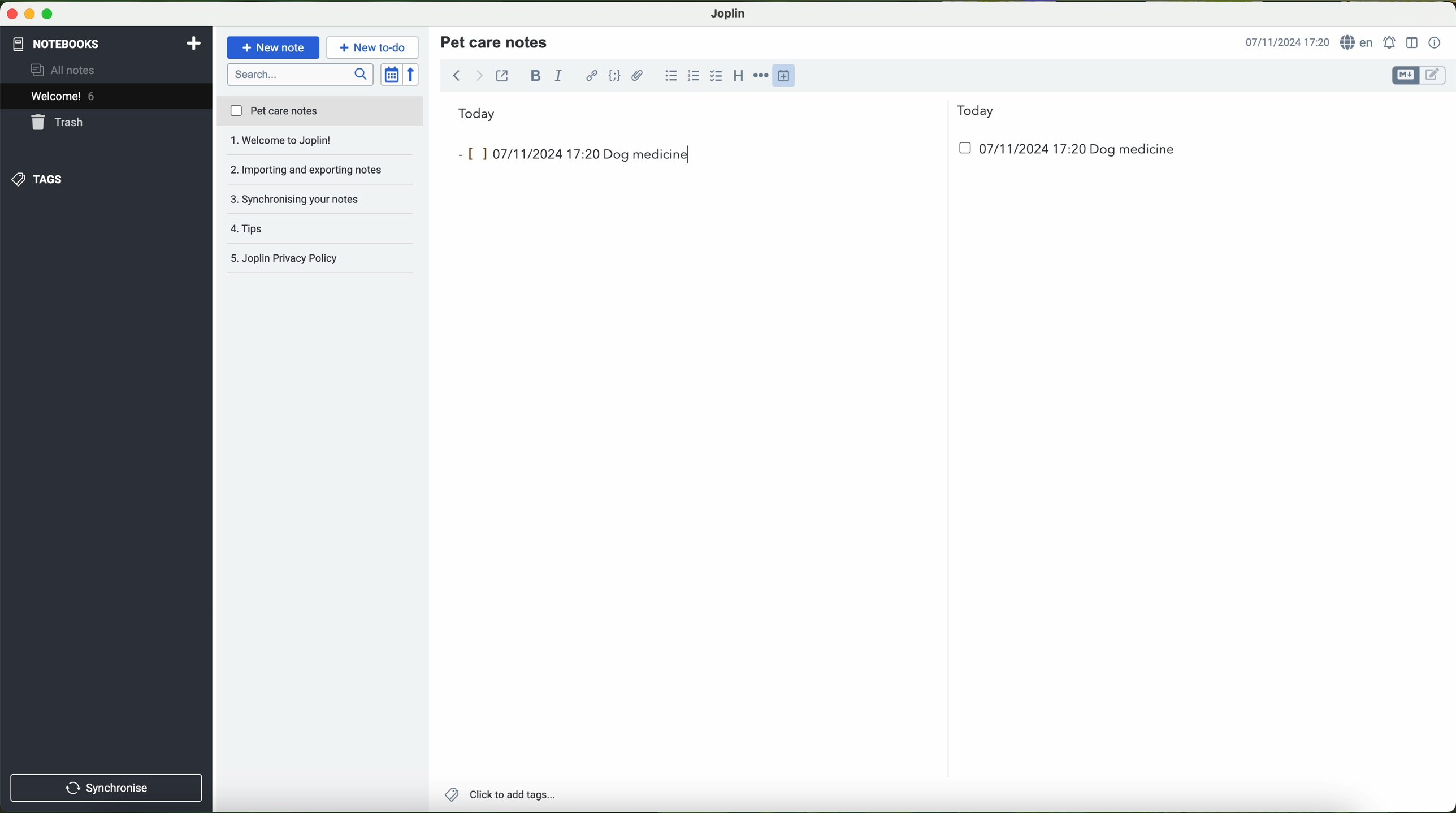 The image size is (1456, 813). What do you see at coordinates (320, 144) in the screenshot?
I see `importing and exporting notes` at bounding box center [320, 144].